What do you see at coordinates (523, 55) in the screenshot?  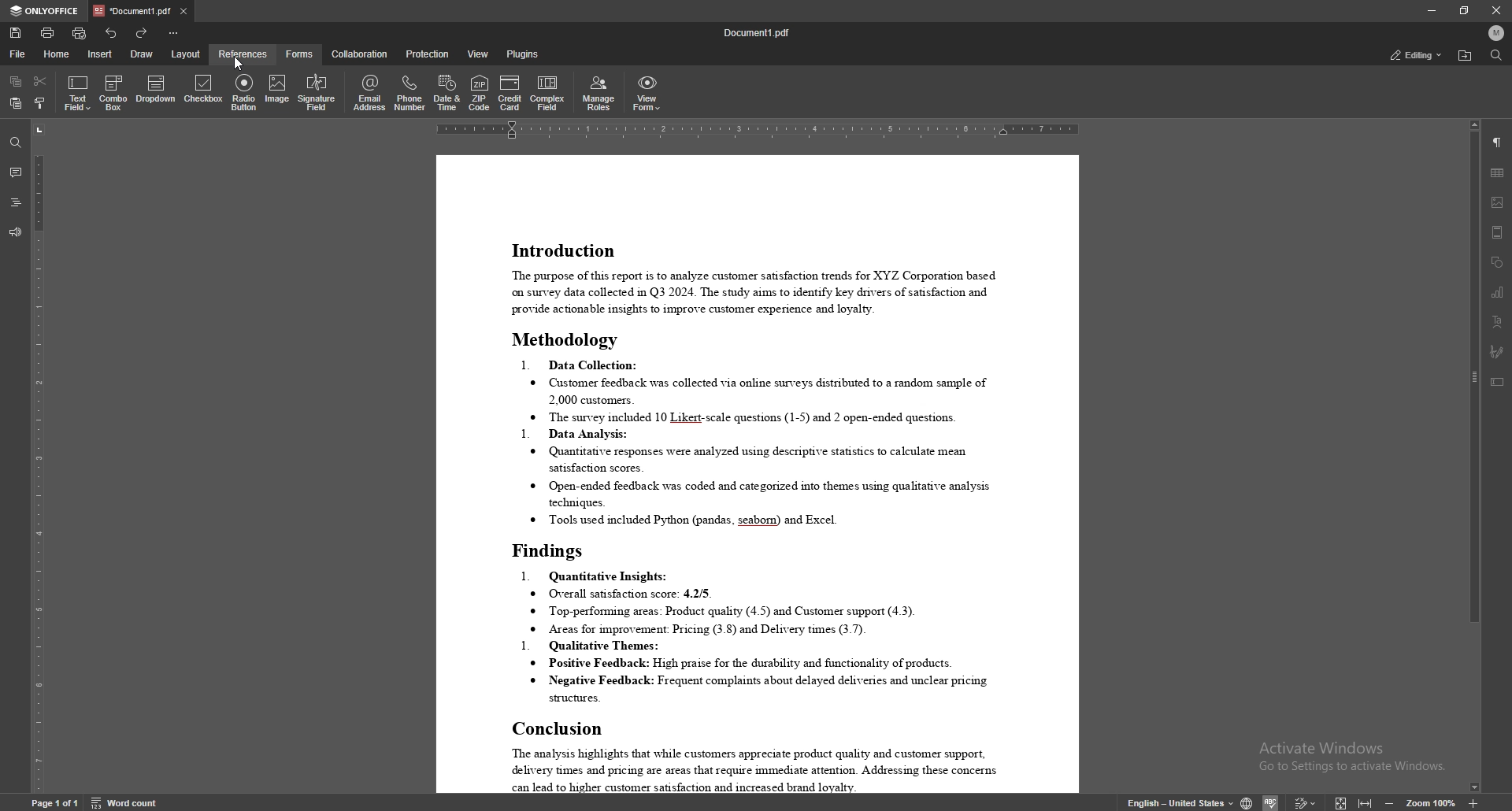 I see `plugins` at bounding box center [523, 55].